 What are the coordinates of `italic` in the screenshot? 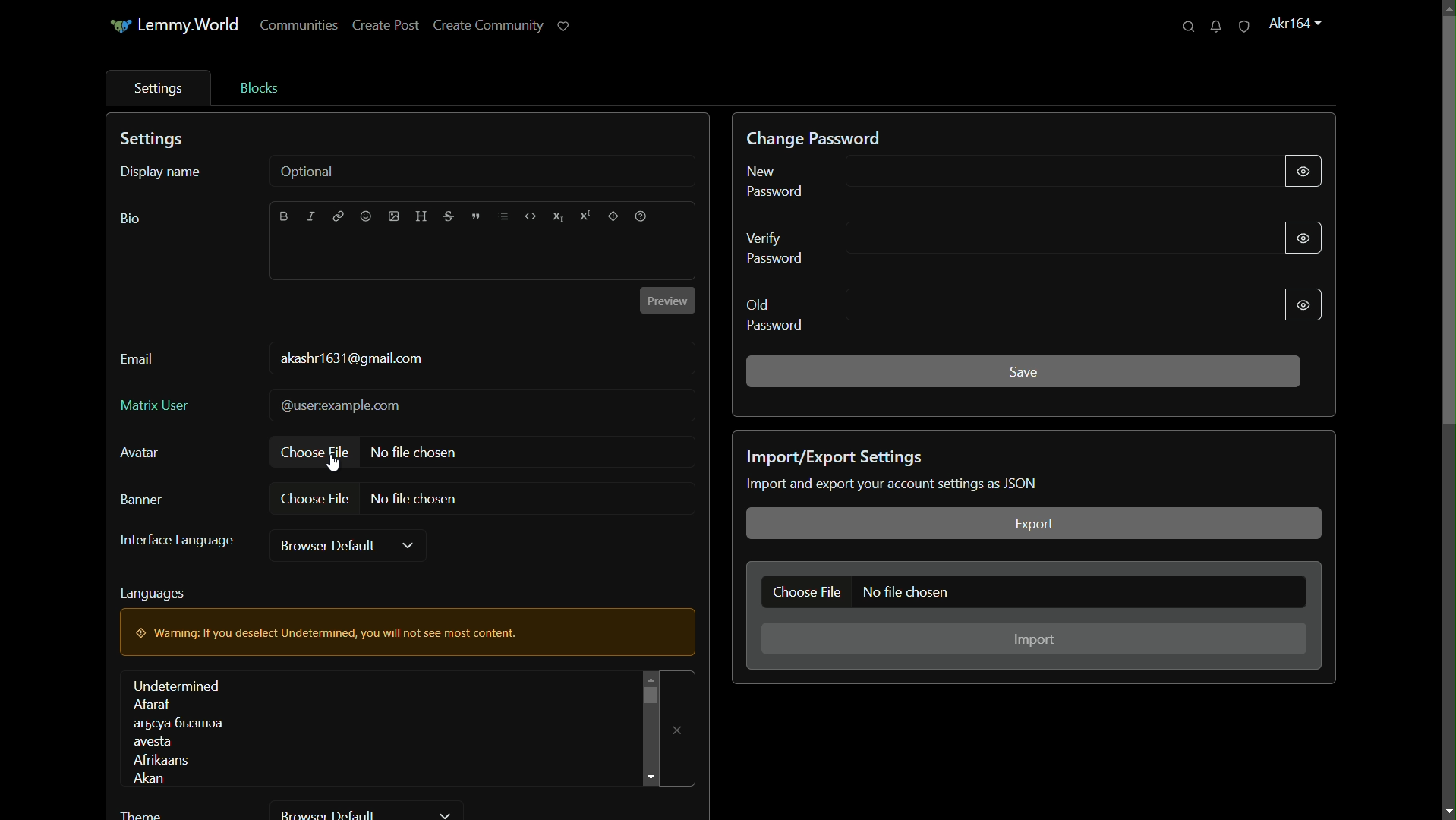 It's located at (313, 216).